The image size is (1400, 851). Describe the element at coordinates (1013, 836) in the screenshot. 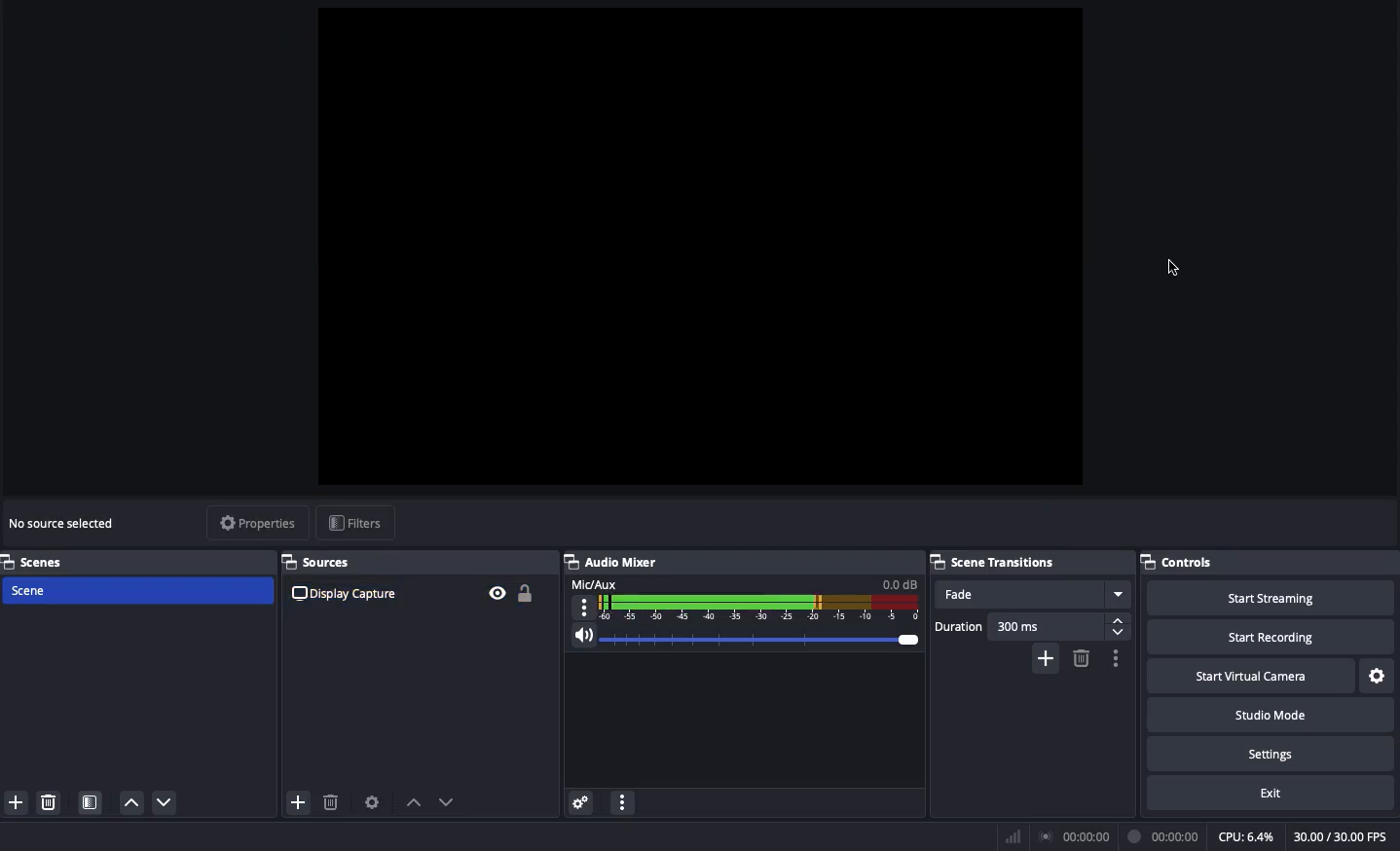

I see `Bar` at that location.